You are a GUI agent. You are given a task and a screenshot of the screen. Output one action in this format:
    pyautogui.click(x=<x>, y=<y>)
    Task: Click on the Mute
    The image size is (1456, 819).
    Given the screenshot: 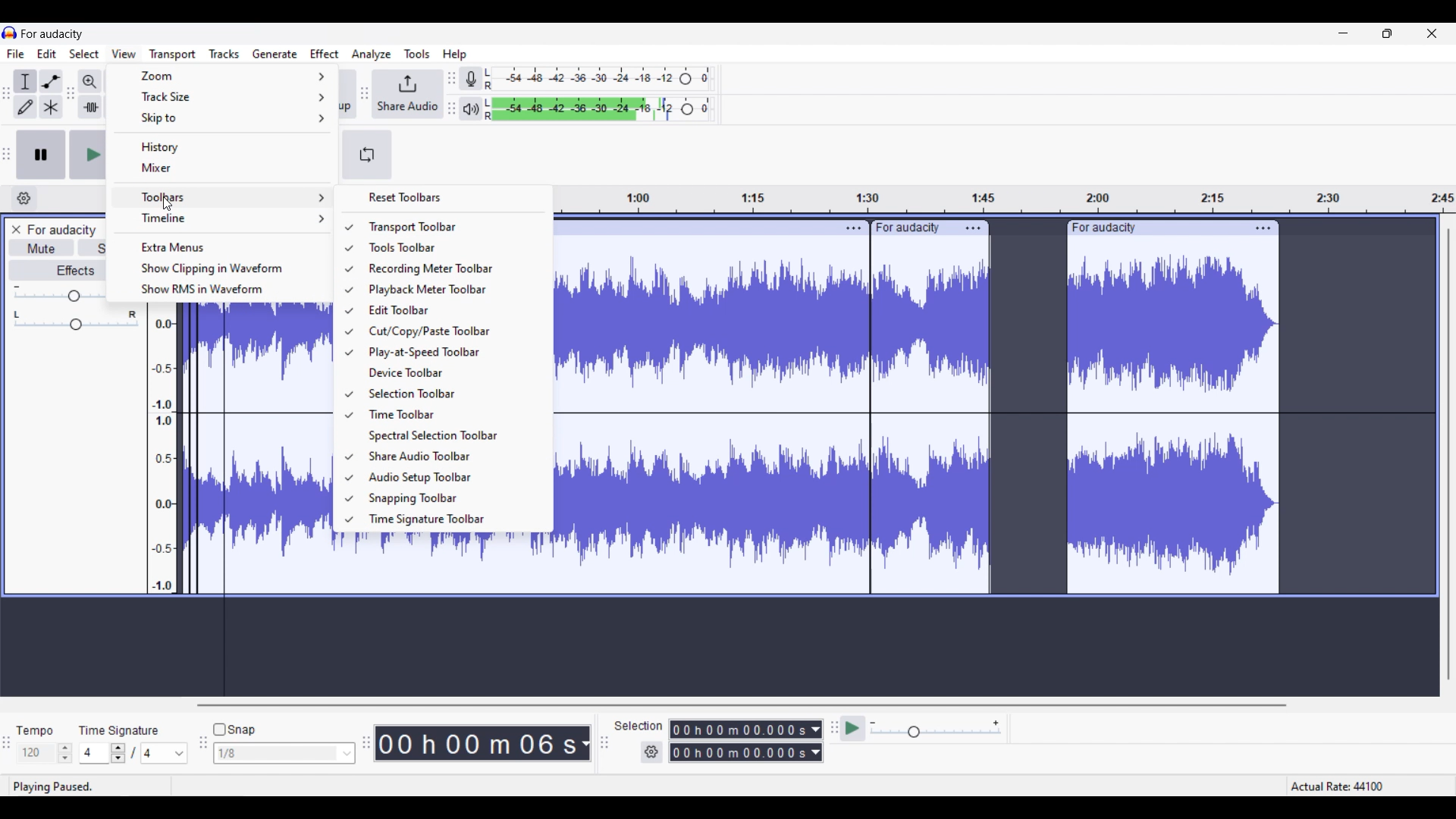 What is the action you would take?
    pyautogui.click(x=41, y=247)
    